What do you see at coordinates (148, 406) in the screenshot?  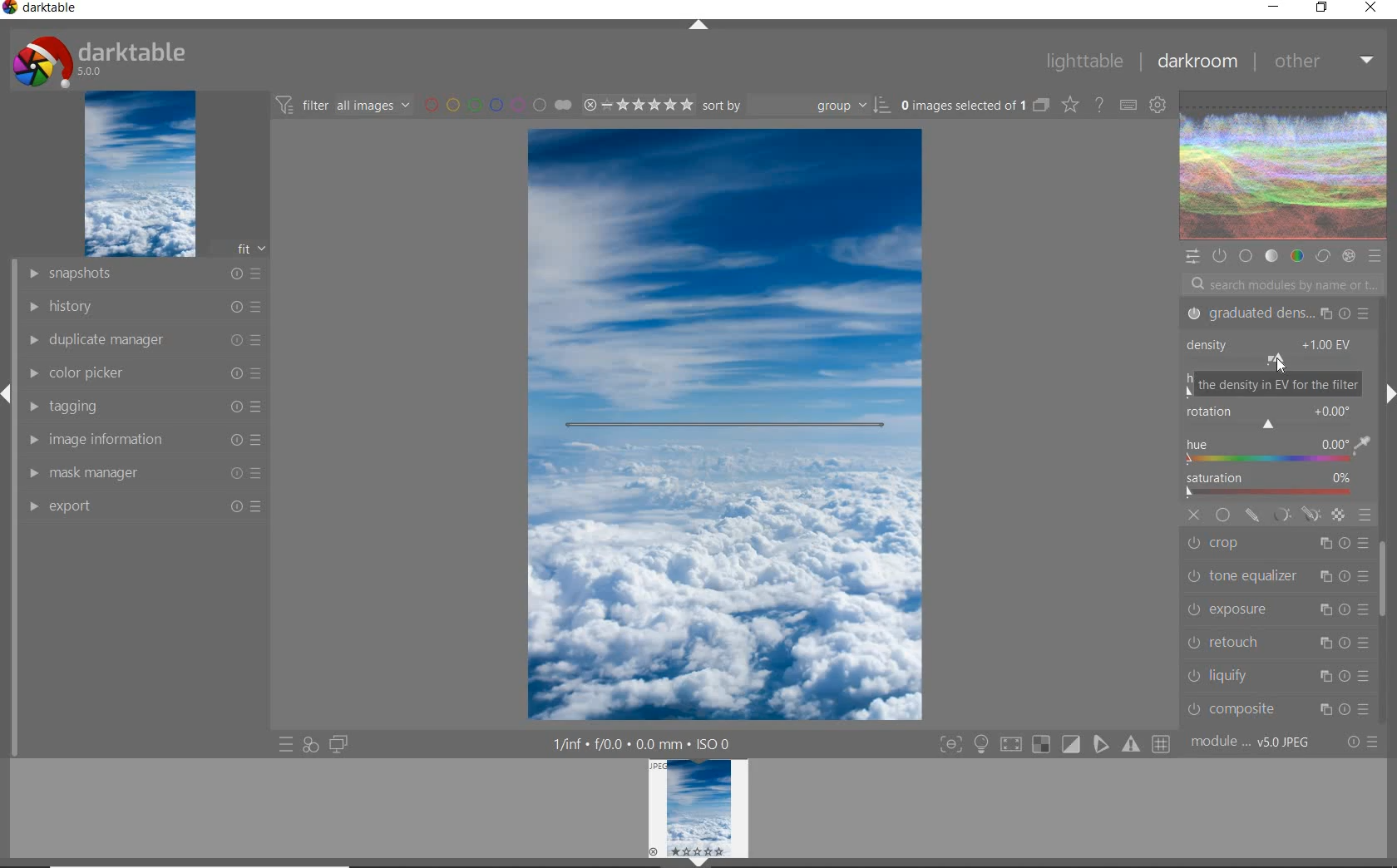 I see `TAGGING` at bounding box center [148, 406].